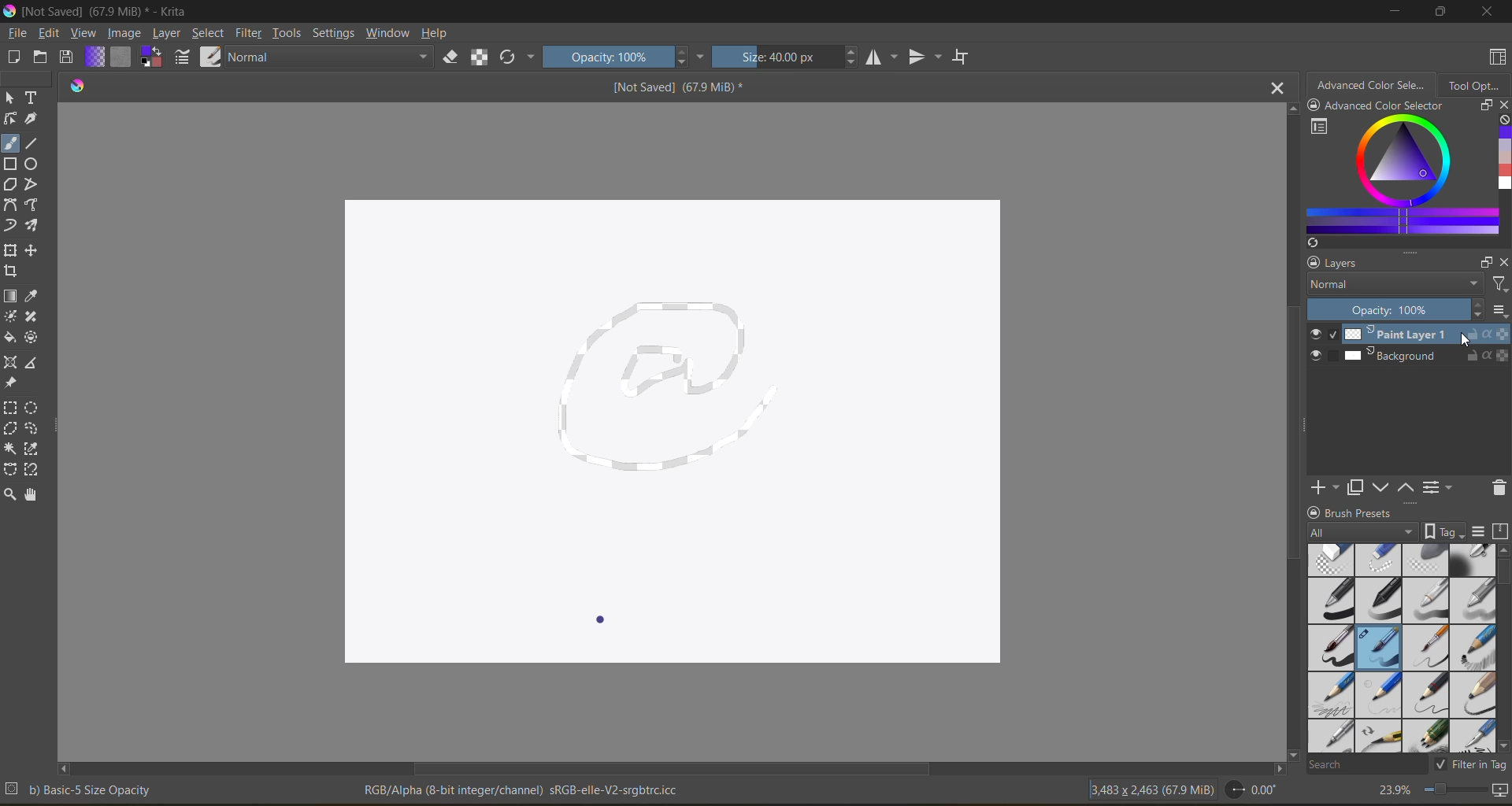 Image resolution: width=1512 pixels, height=806 pixels. Describe the element at coordinates (1473, 648) in the screenshot. I see `pencil` at that location.